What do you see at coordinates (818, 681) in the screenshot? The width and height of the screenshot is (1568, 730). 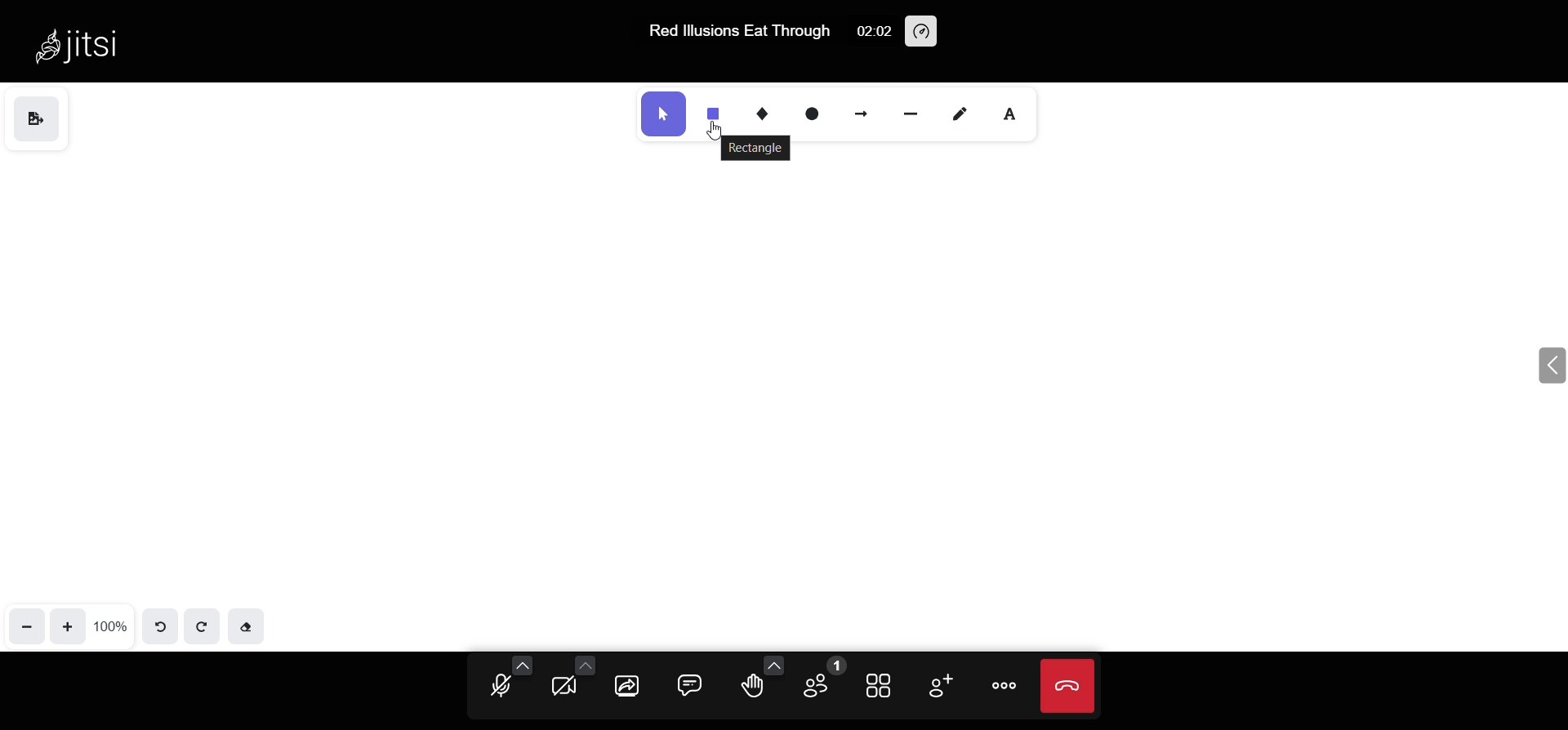 I see `participants` at bounding box center [818, 681].